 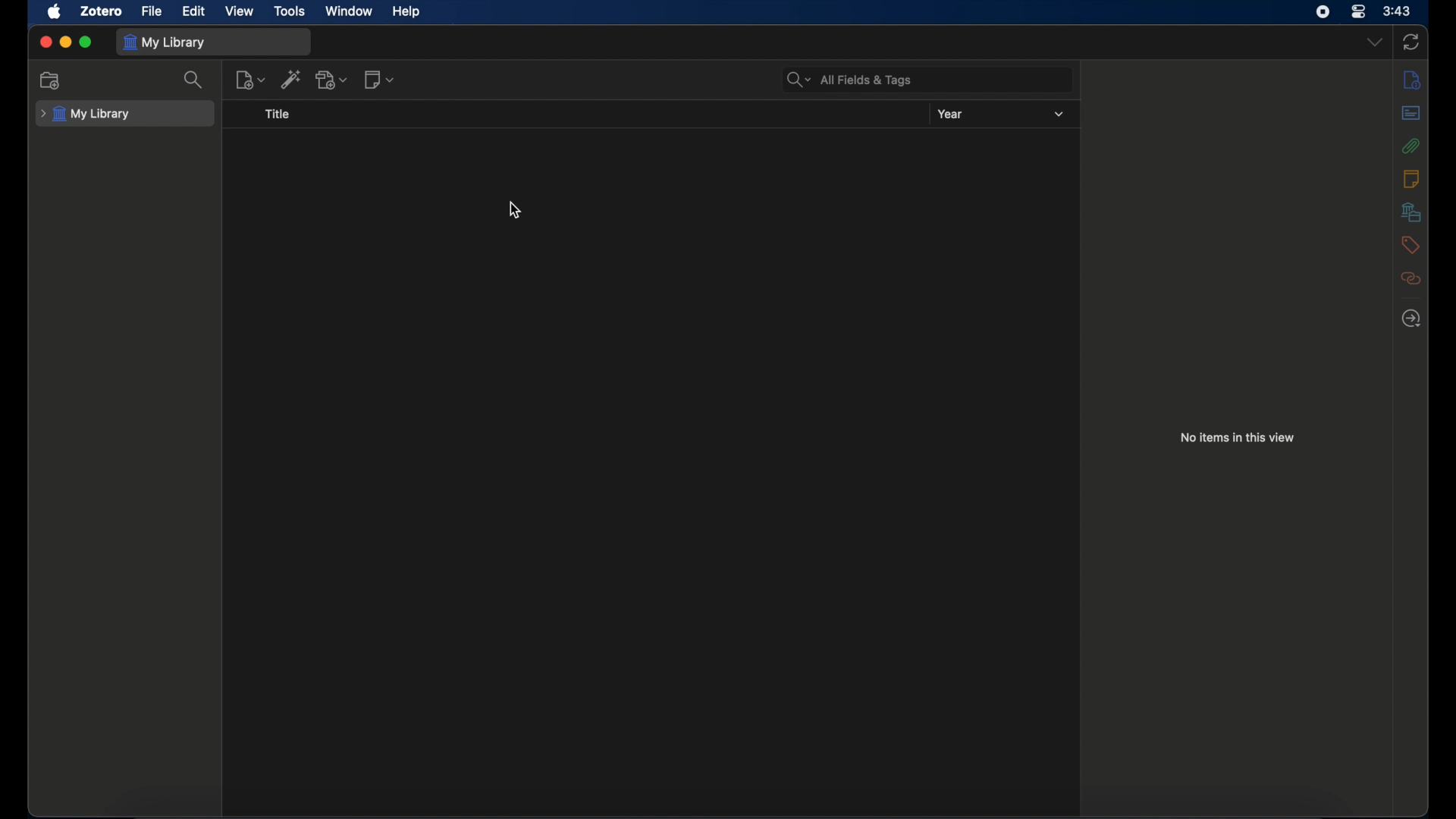 What do you see at coordinates (86, 42) in the screenshot?
I see `maximize` at bounding box center [86, 42].